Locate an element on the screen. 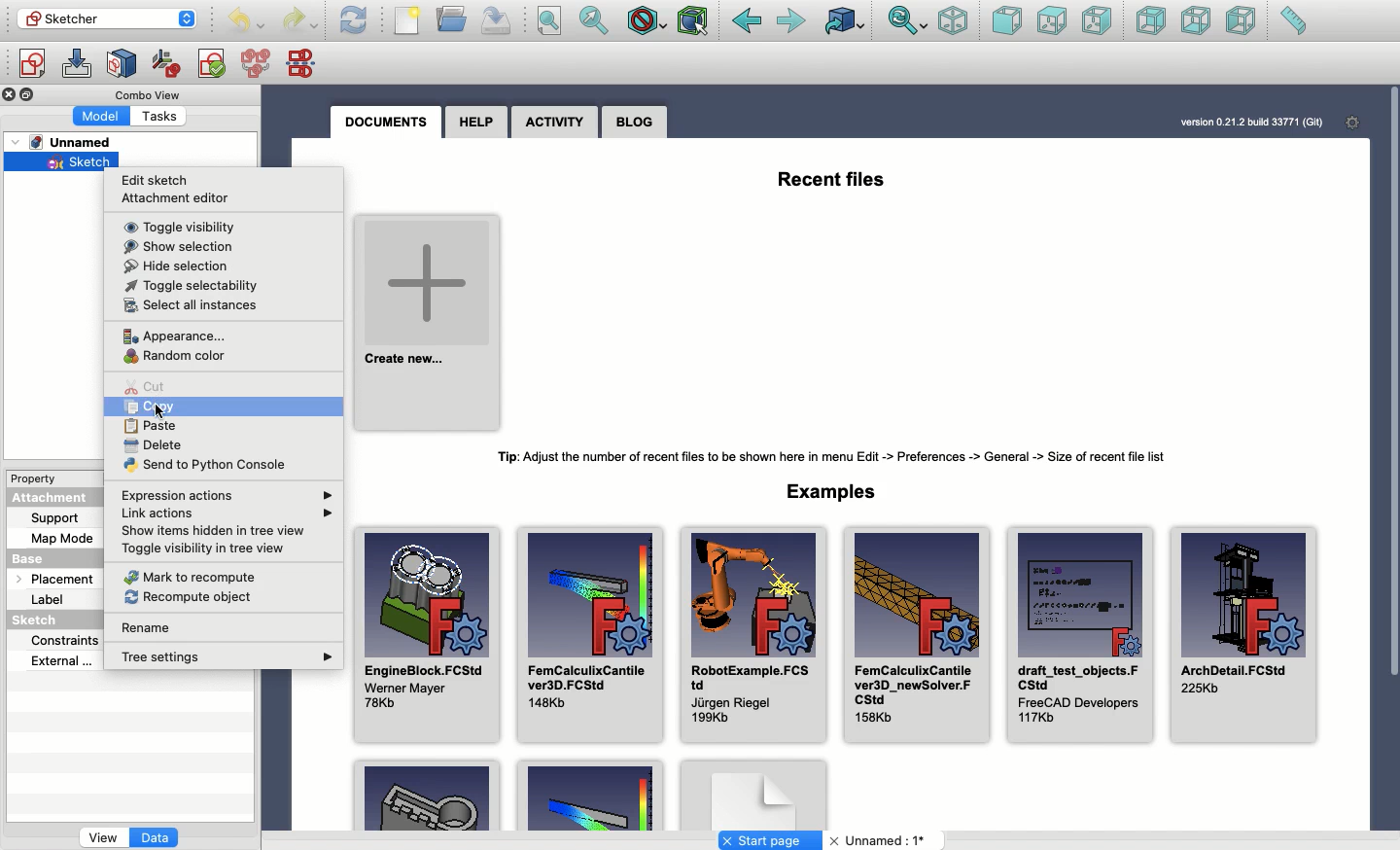 Image resolution: width=1400 pixels, height=850 pixels. Open is located at coordinates (453, 18).